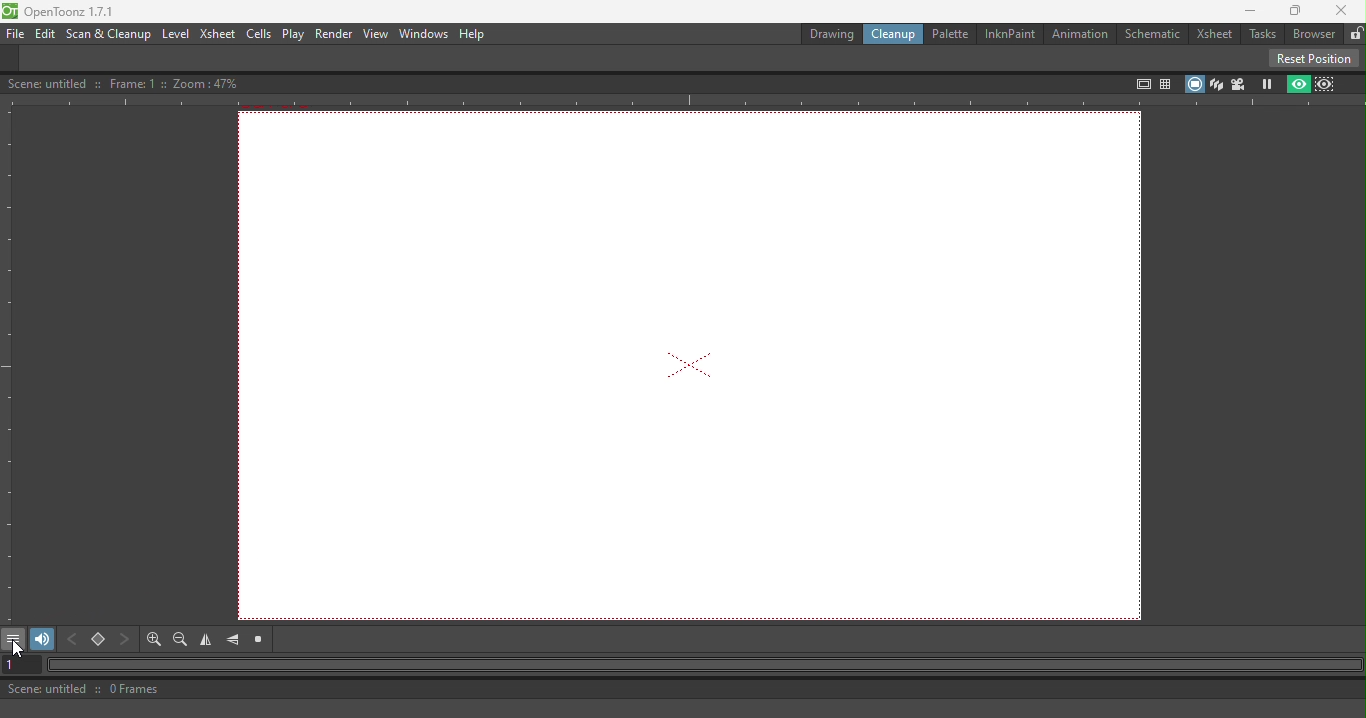  What do you see at coordinates (1310, 34) in the screenshot?
I see `Browser` at bounding box center [1310, 34].